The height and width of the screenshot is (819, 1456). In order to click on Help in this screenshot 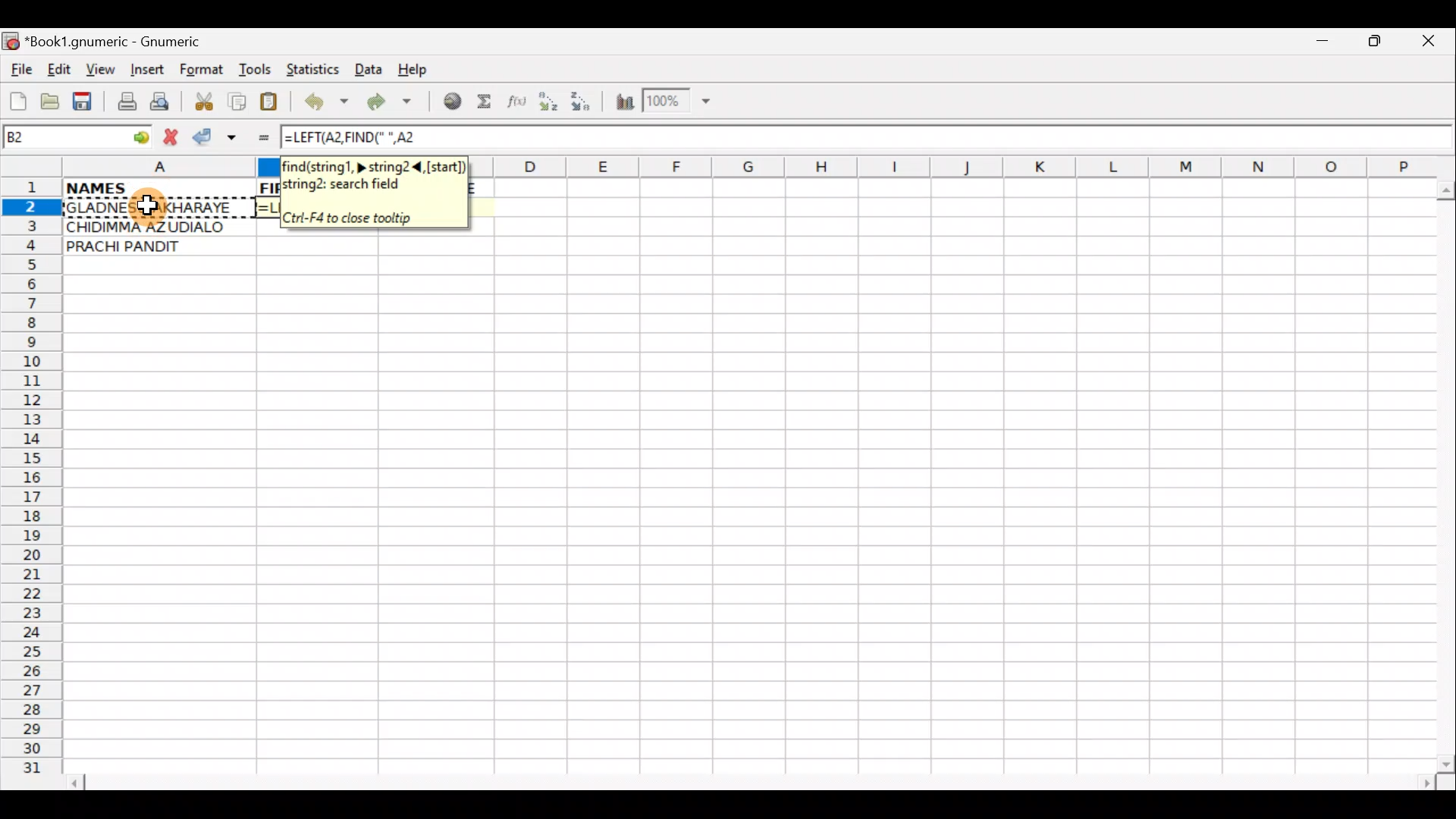, I will do `click(413, 70)`.